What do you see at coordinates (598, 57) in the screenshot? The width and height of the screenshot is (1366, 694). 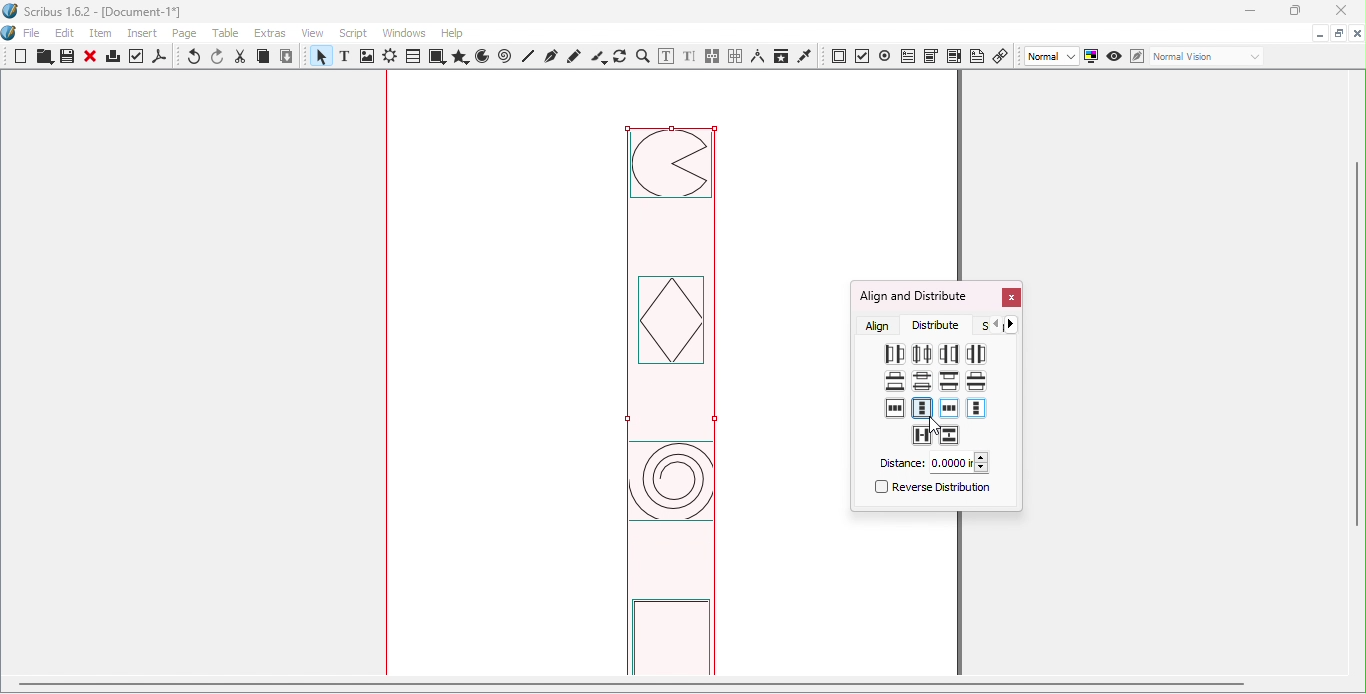 I see `Calligraphic line` at bounding box center [598, 57].